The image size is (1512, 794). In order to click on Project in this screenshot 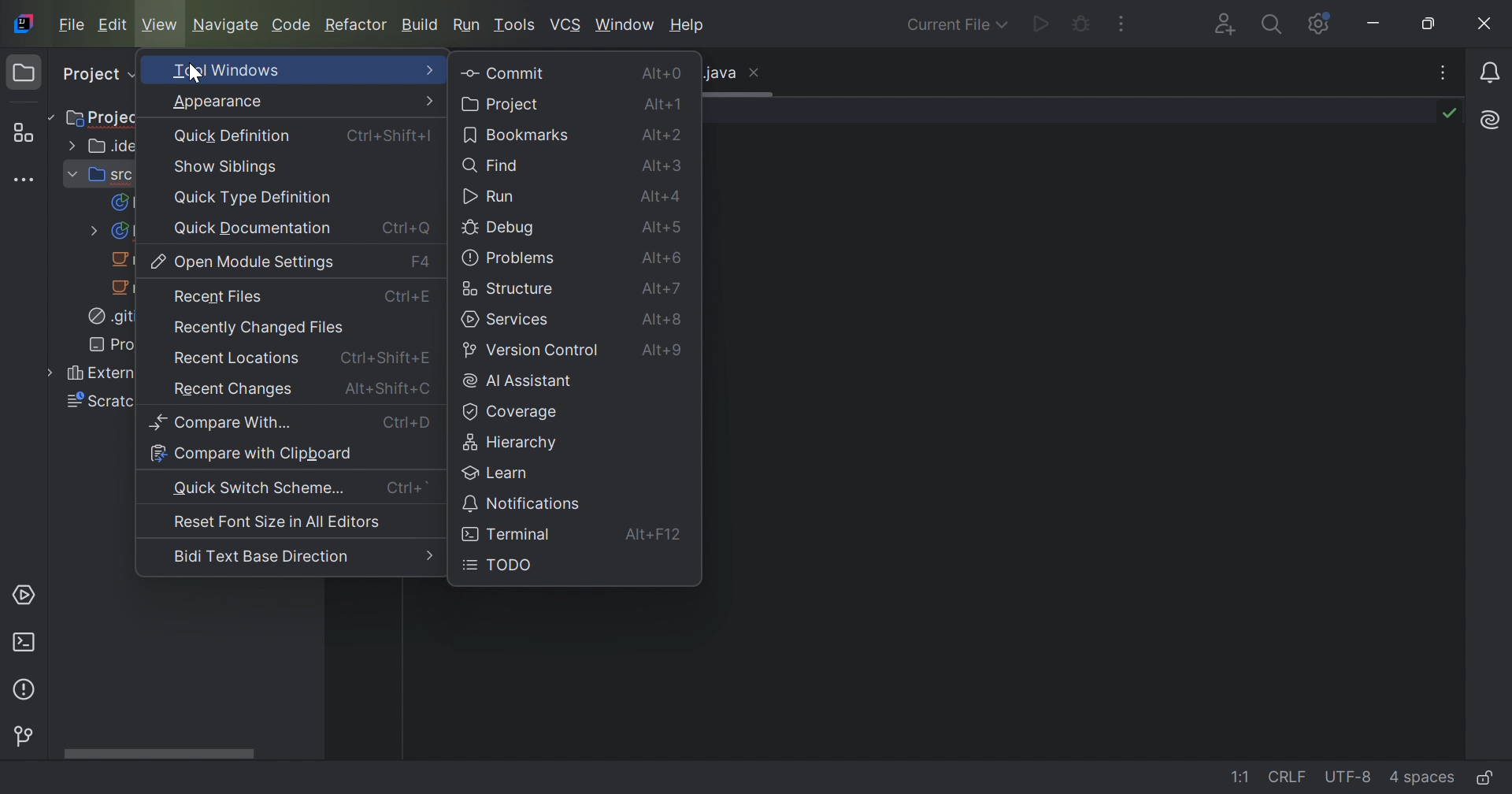, I will do `click(106, 117)`.